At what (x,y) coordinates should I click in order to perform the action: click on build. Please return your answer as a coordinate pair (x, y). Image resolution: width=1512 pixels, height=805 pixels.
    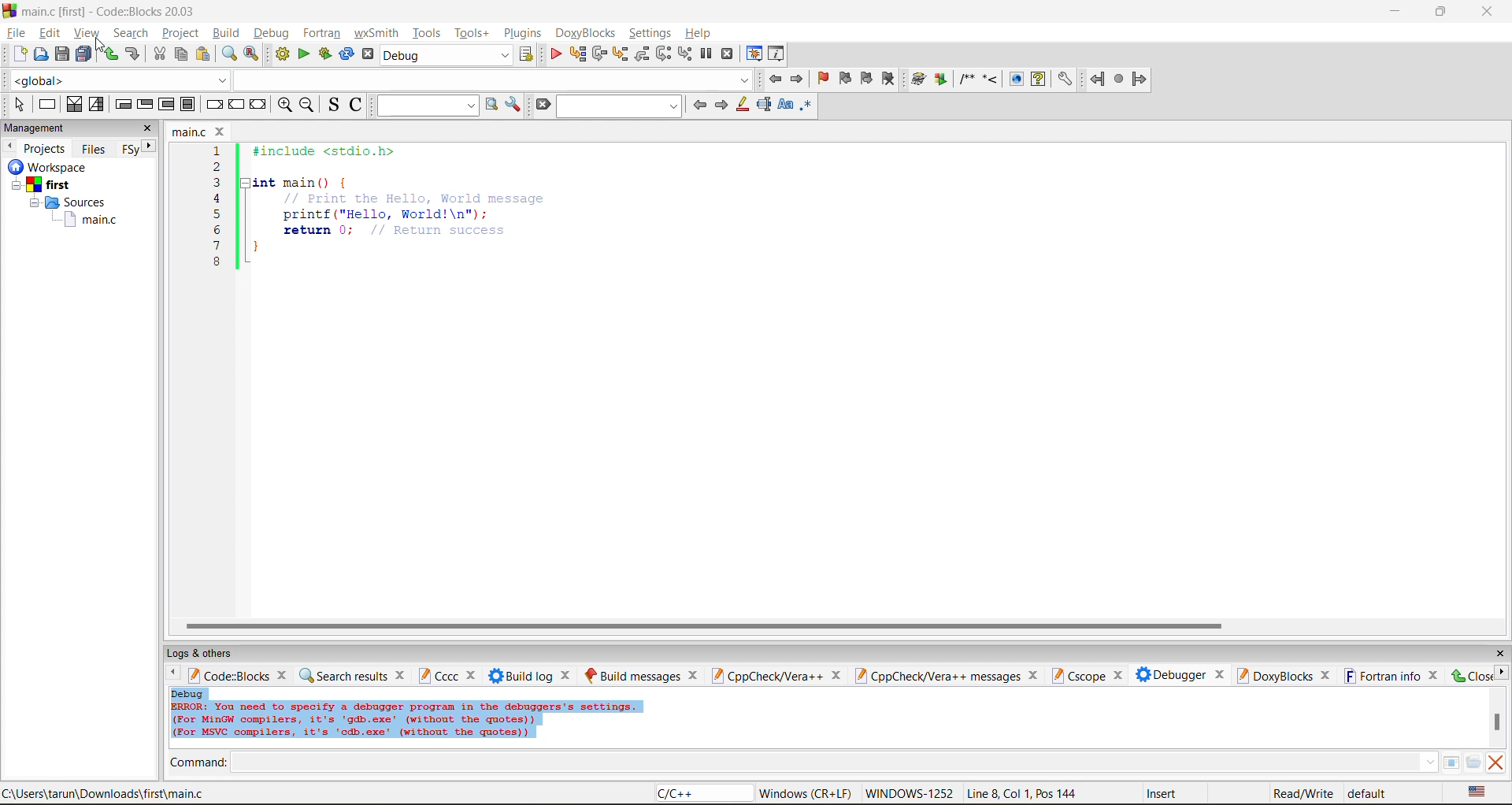
    Looking at the image, I should click on (226, 32).